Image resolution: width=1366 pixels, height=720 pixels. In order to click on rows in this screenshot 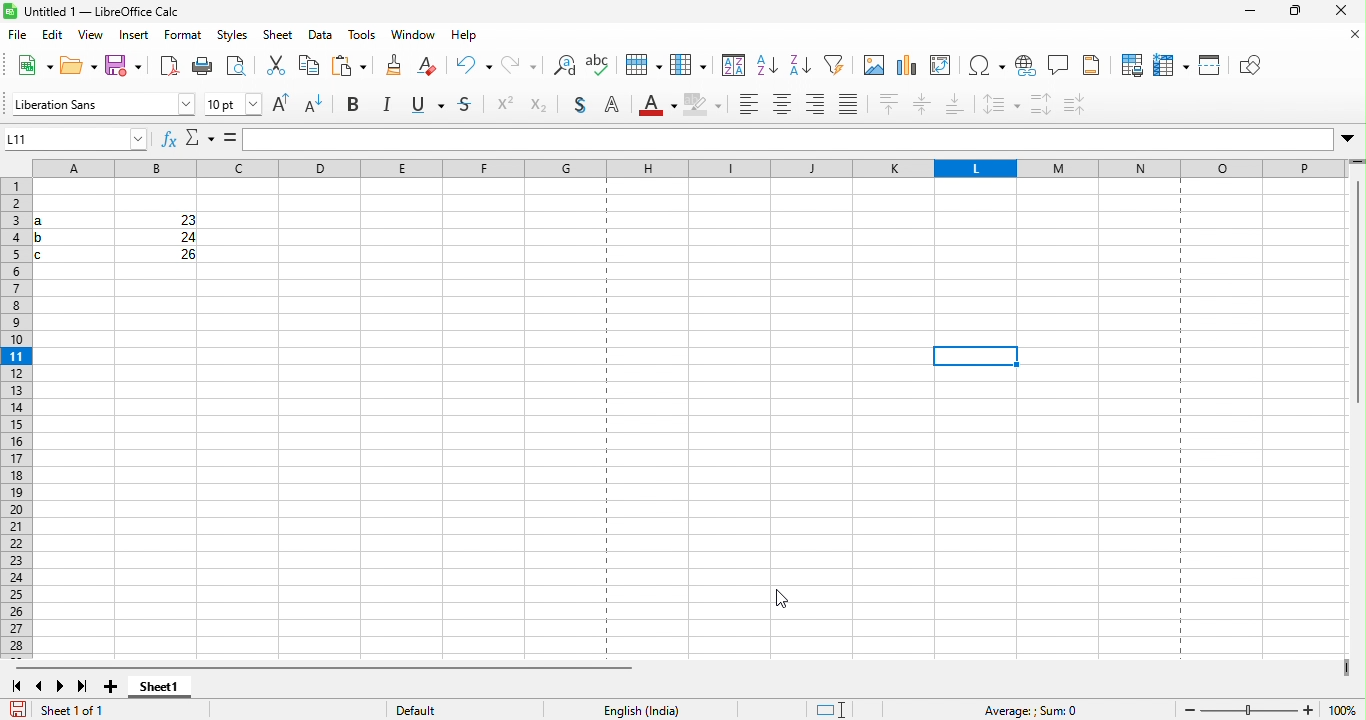, I will do `click(15, 419)`.